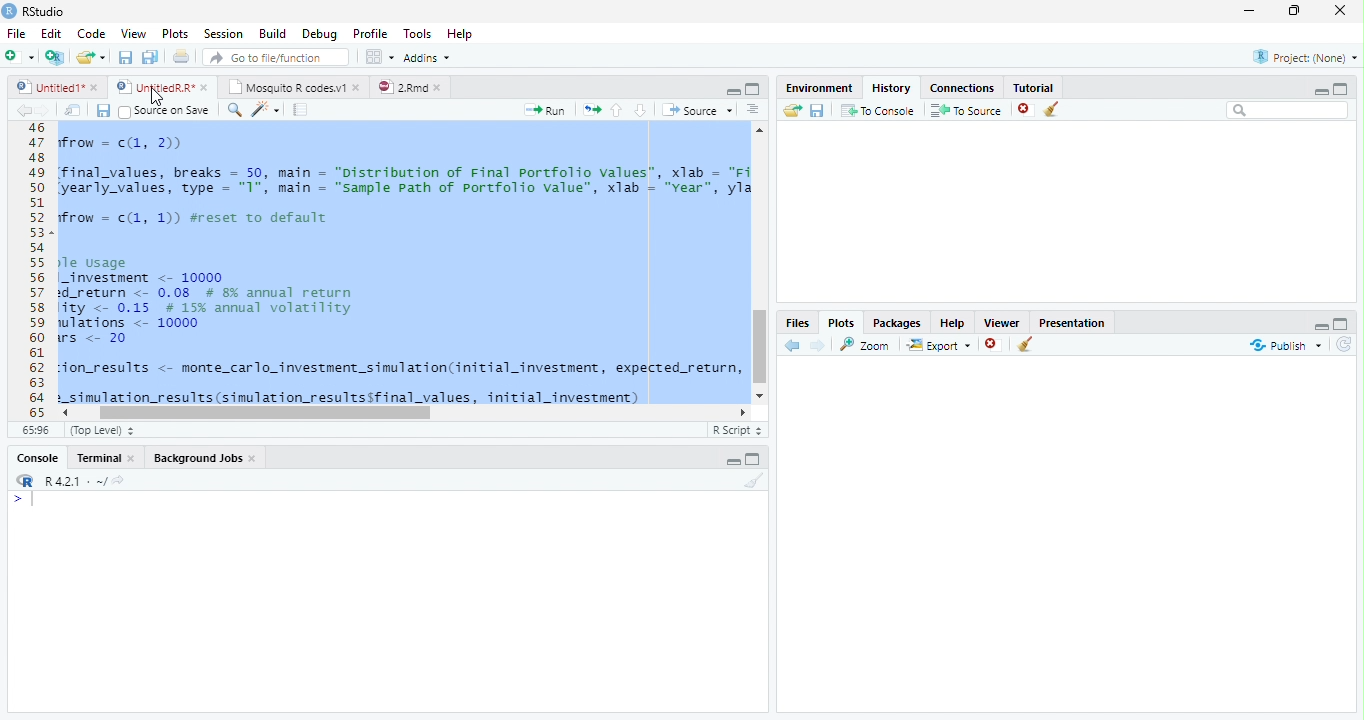 The image size is (1364, 720). What do you see at coordinates (107, 457) in the screenshot?
I see `Terminal` at bounding box center [107, 457].